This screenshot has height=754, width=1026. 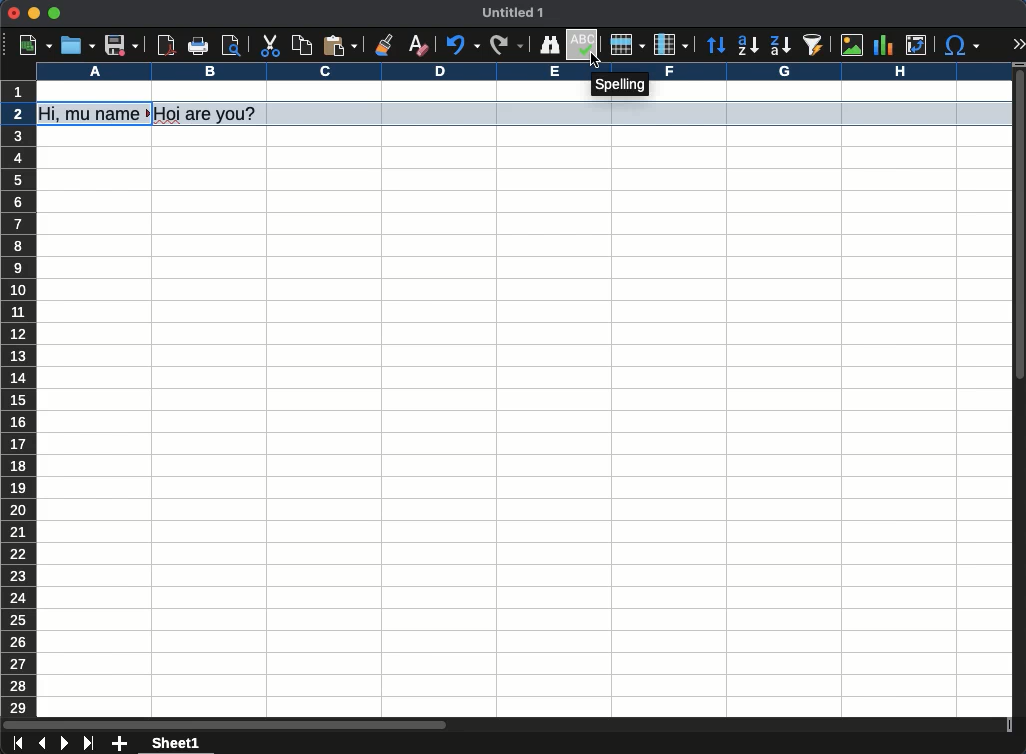 I want to click on redo, so click(x=507, y=46).